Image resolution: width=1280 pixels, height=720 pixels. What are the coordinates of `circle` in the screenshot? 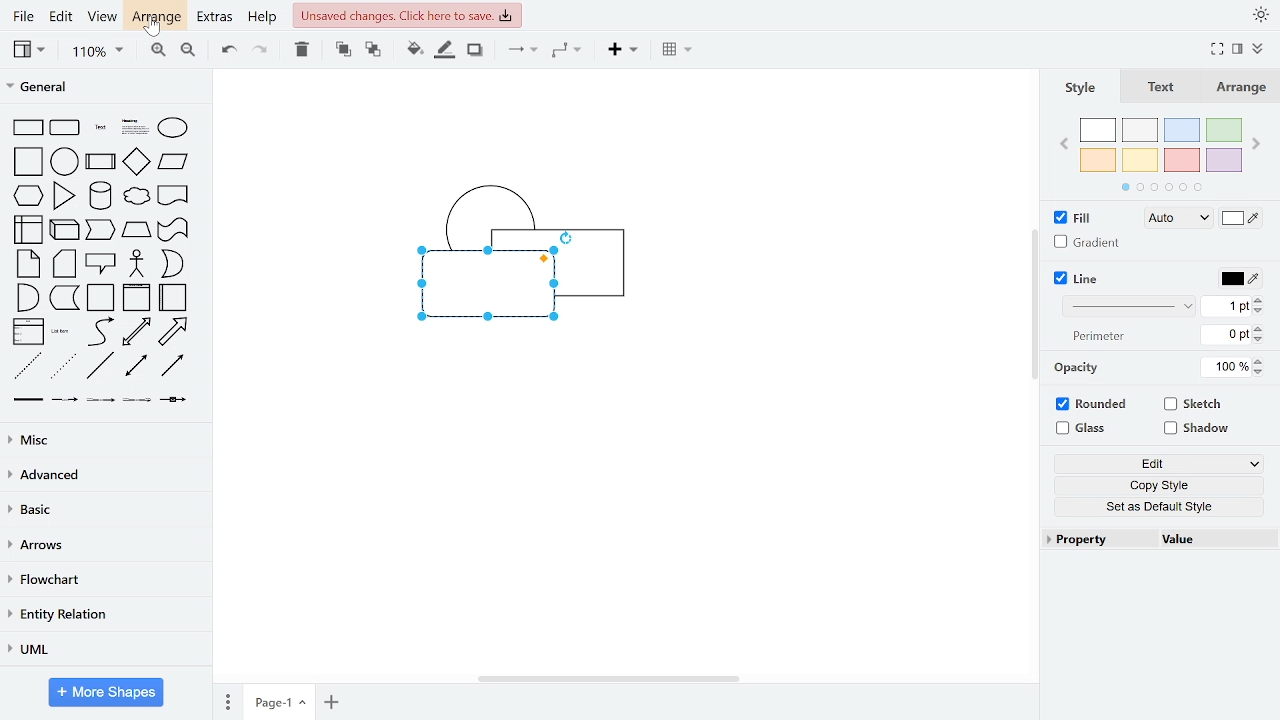 It's located at (65, 163).